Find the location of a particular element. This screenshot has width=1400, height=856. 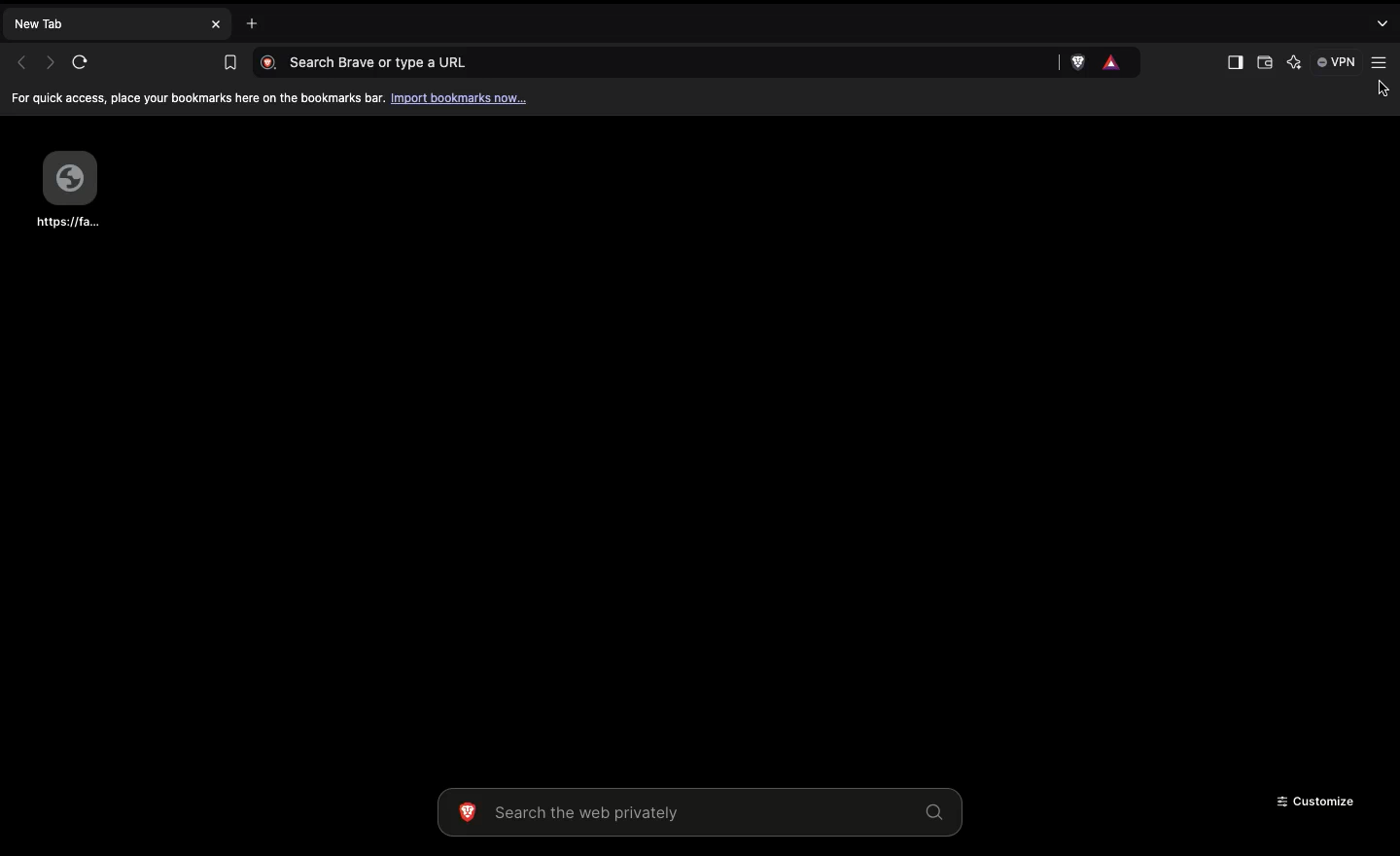

rewards is located at coordinates (1113, 61).